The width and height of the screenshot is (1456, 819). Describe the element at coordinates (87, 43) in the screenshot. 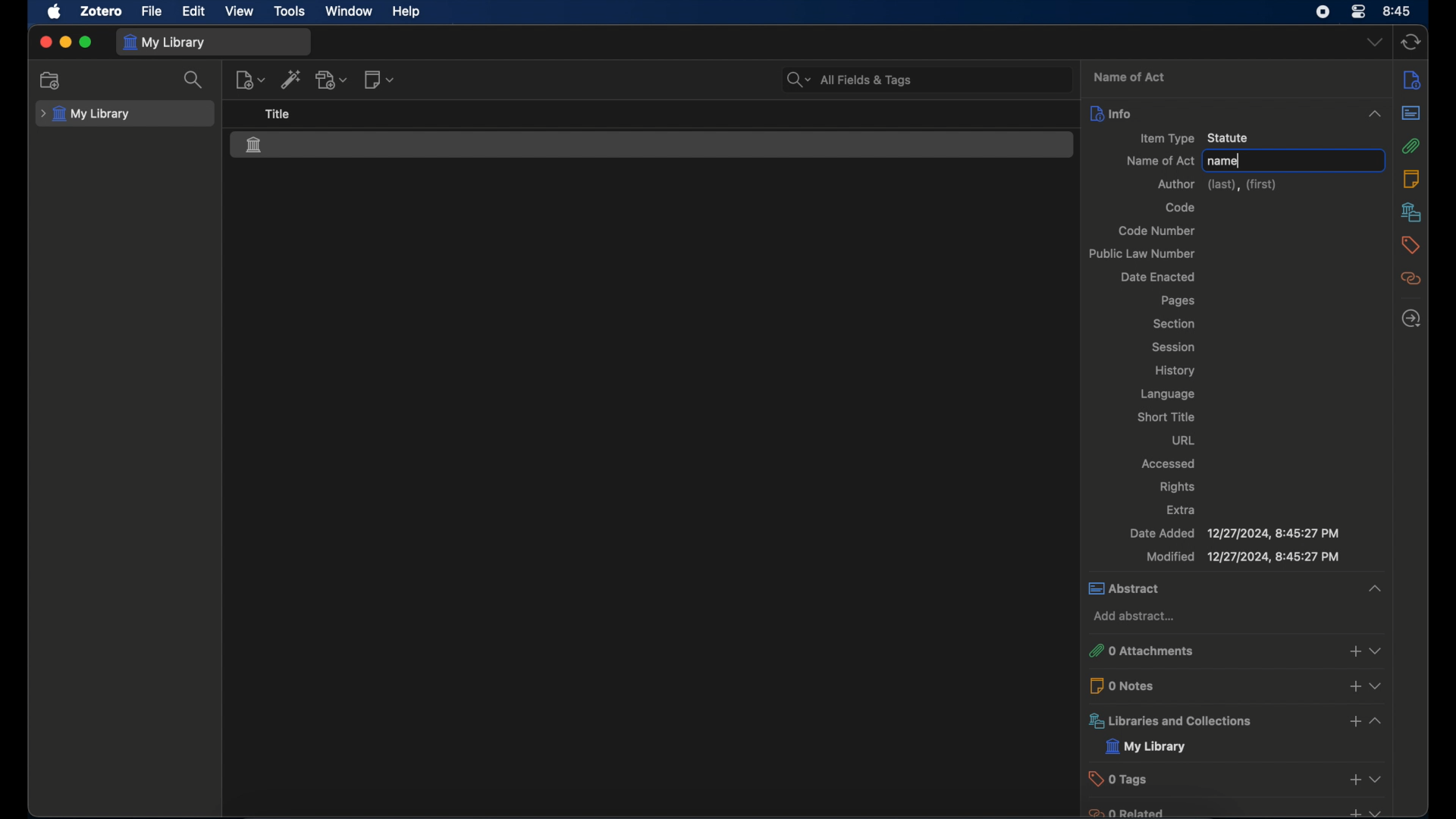

I see `maximize` at that location.